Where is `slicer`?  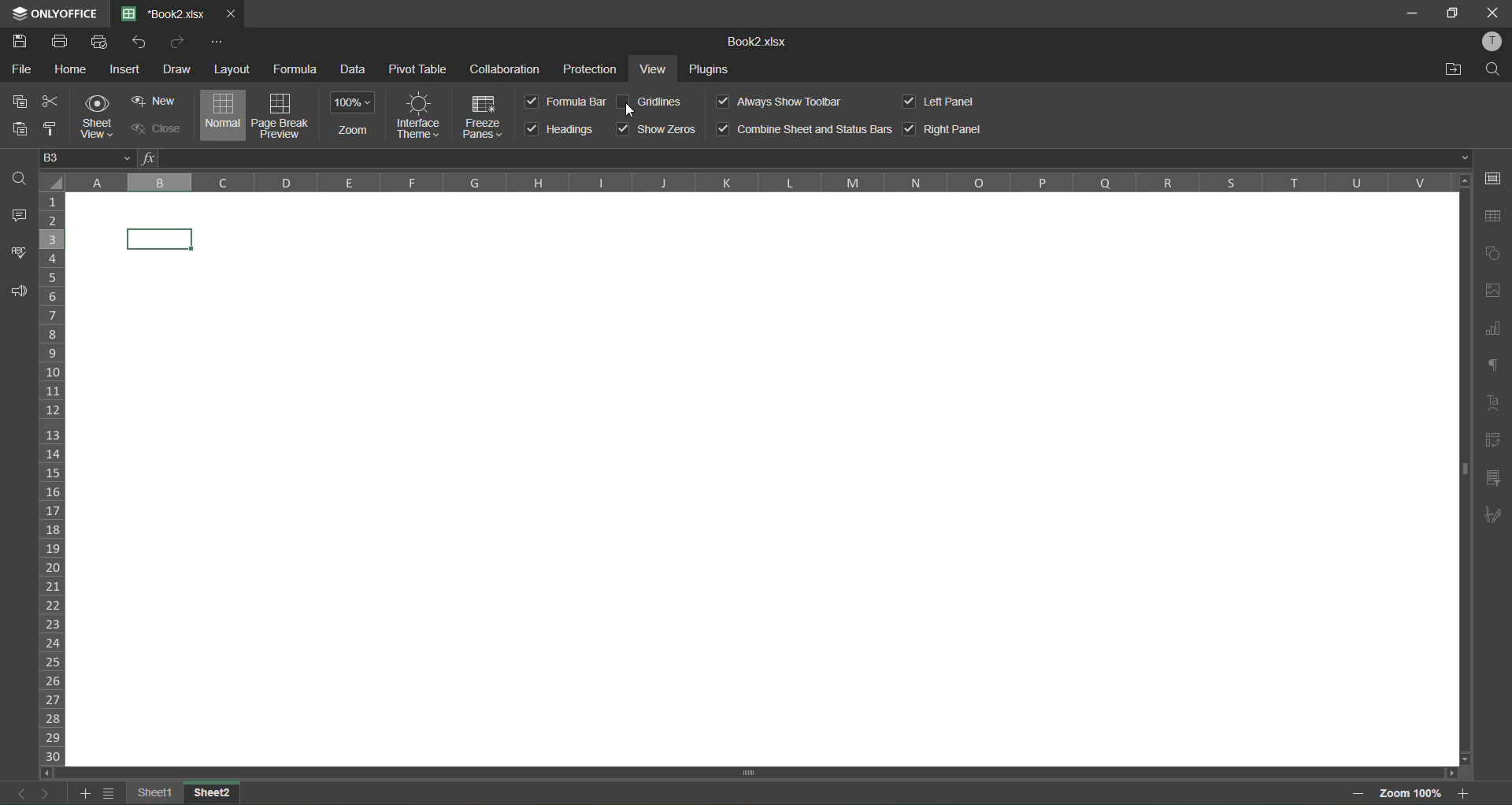 slicer is located at coordinates (1492, 480).